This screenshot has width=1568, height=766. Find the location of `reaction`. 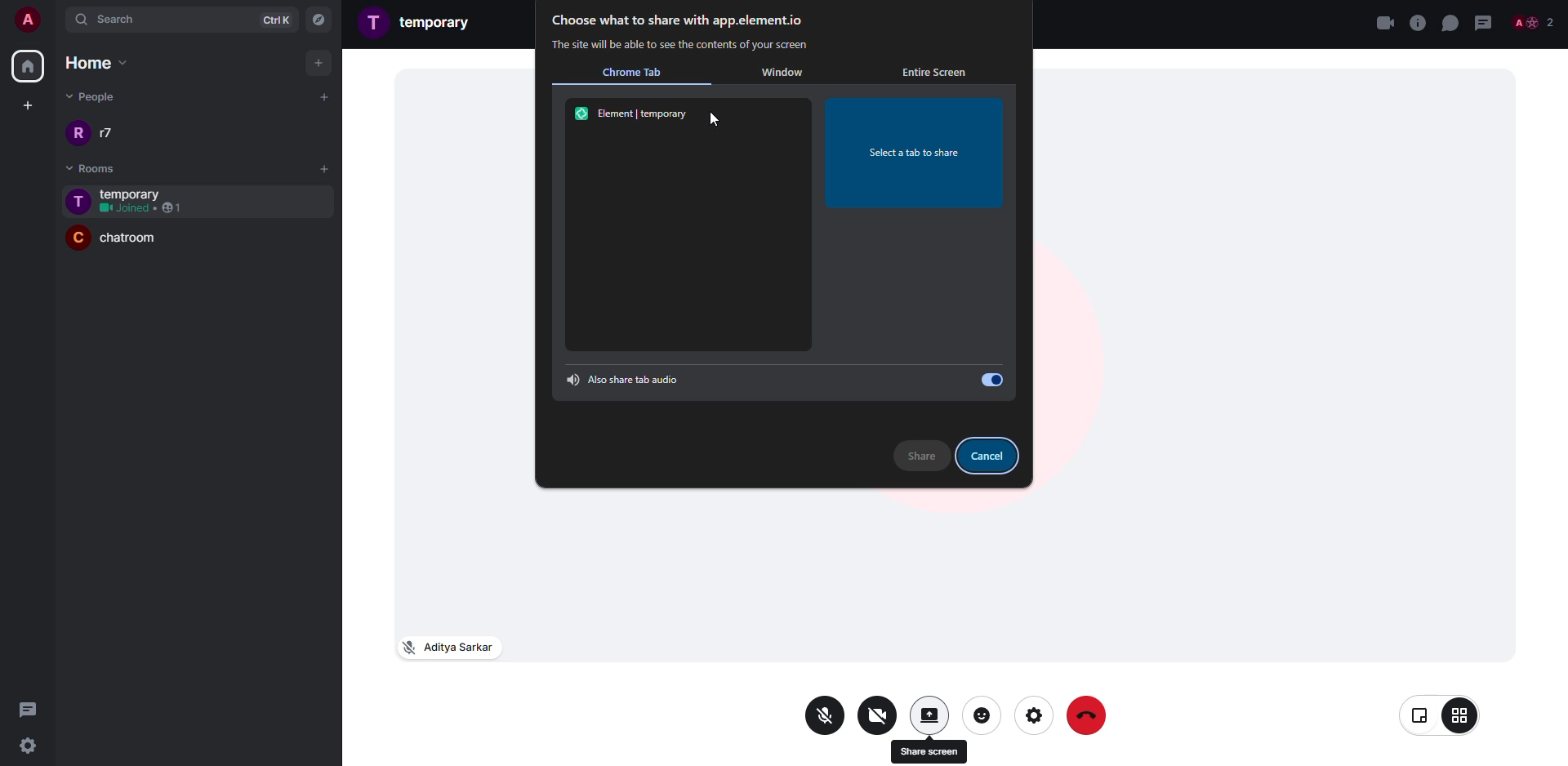

reaction is located at coordinates (982, 714).